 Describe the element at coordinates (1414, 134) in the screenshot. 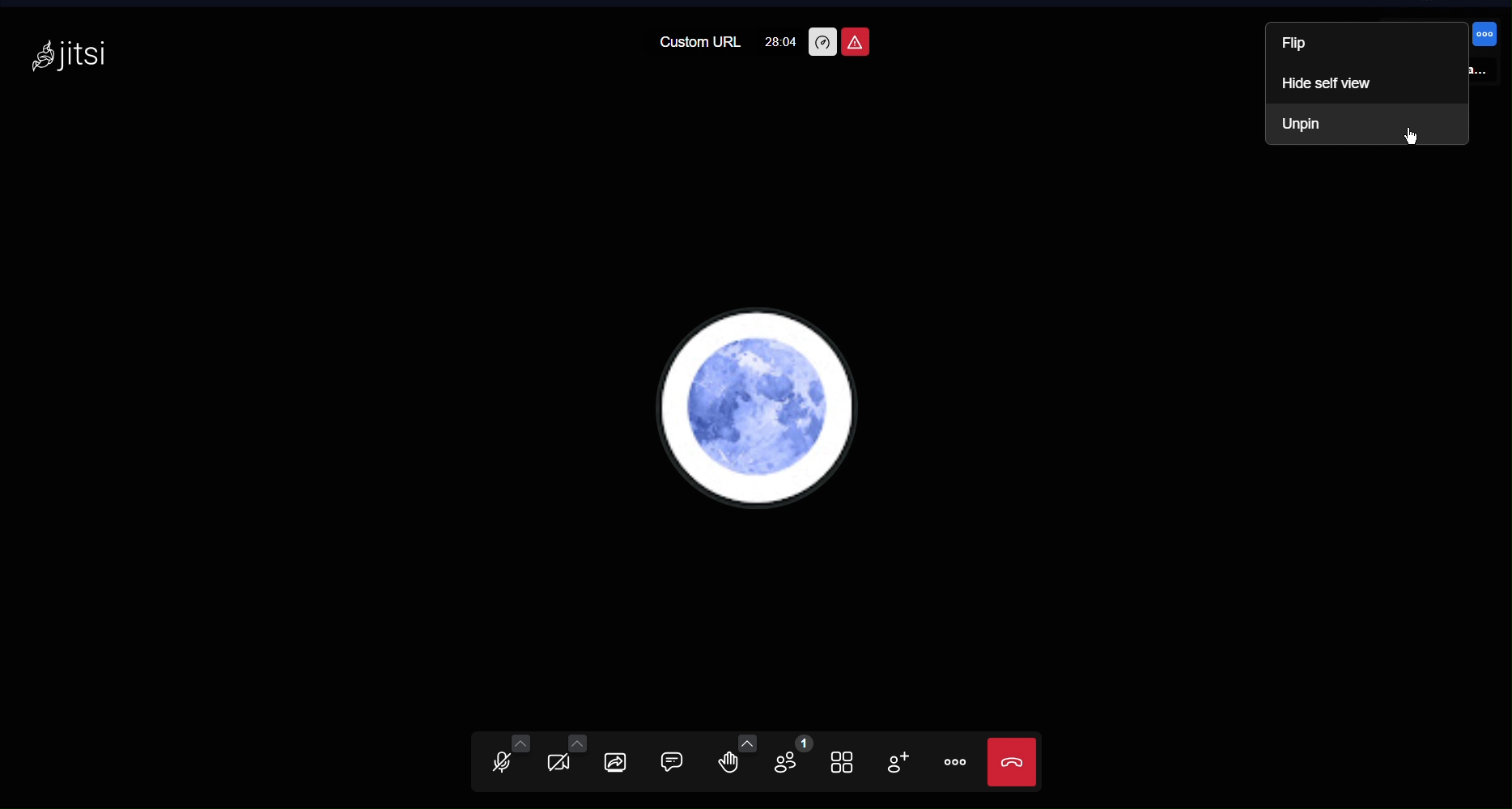

I see `Cursor` at that location.